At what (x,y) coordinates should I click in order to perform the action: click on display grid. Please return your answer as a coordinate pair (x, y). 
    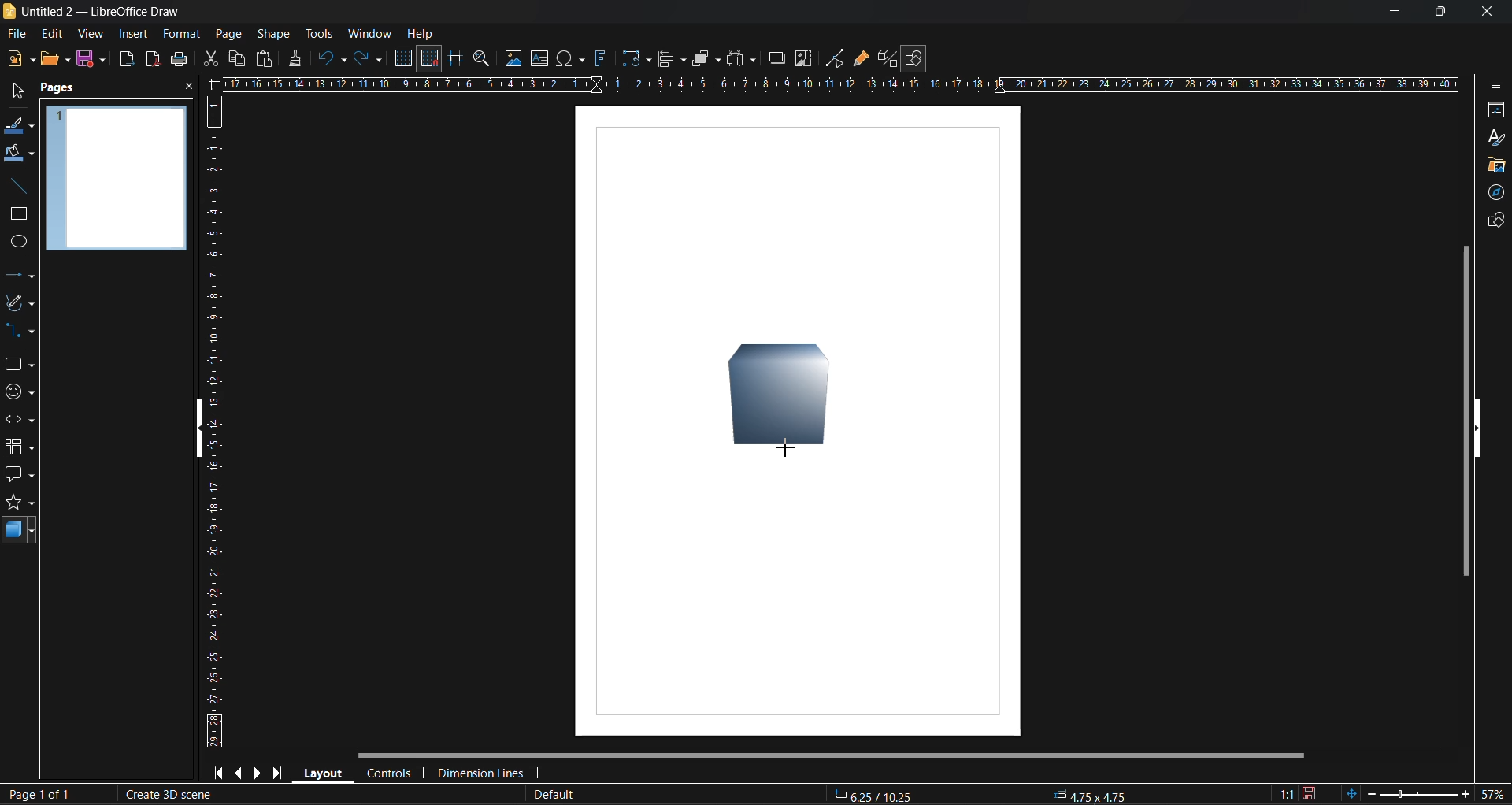
    Looking at the image, I should click on (406, 58).